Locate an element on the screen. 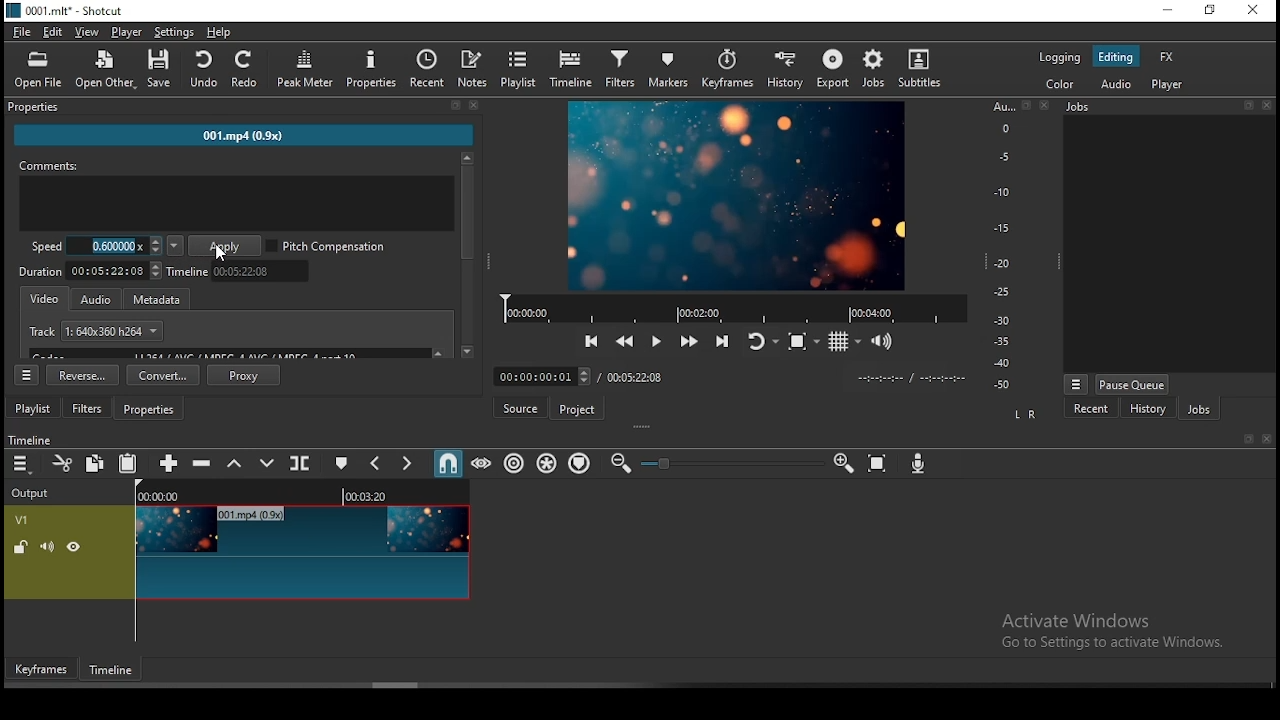 Image resolution: width=1280 pixels, height=720 pixels. undo is located at coordinates (205, 70).